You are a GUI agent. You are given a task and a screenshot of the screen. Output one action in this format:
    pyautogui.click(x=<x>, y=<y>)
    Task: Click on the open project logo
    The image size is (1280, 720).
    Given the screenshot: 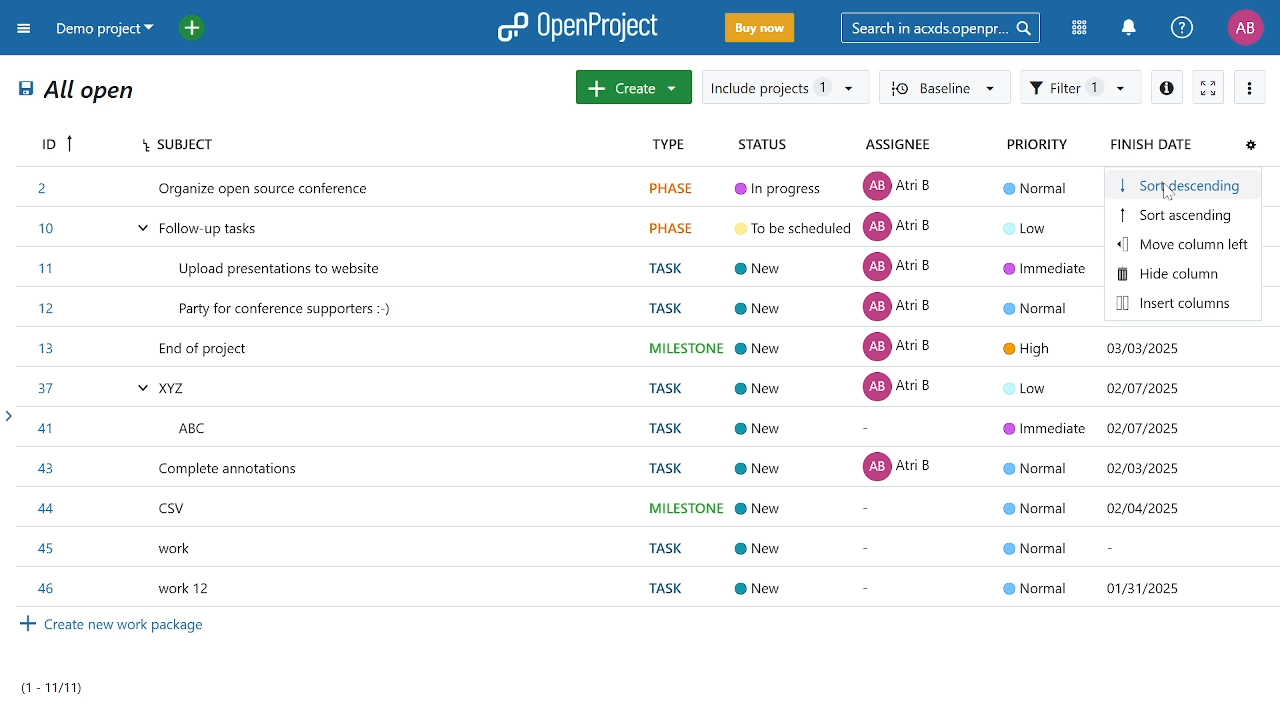 What is the action you would take?
    pyautogui.click(x=578, y=26)
    